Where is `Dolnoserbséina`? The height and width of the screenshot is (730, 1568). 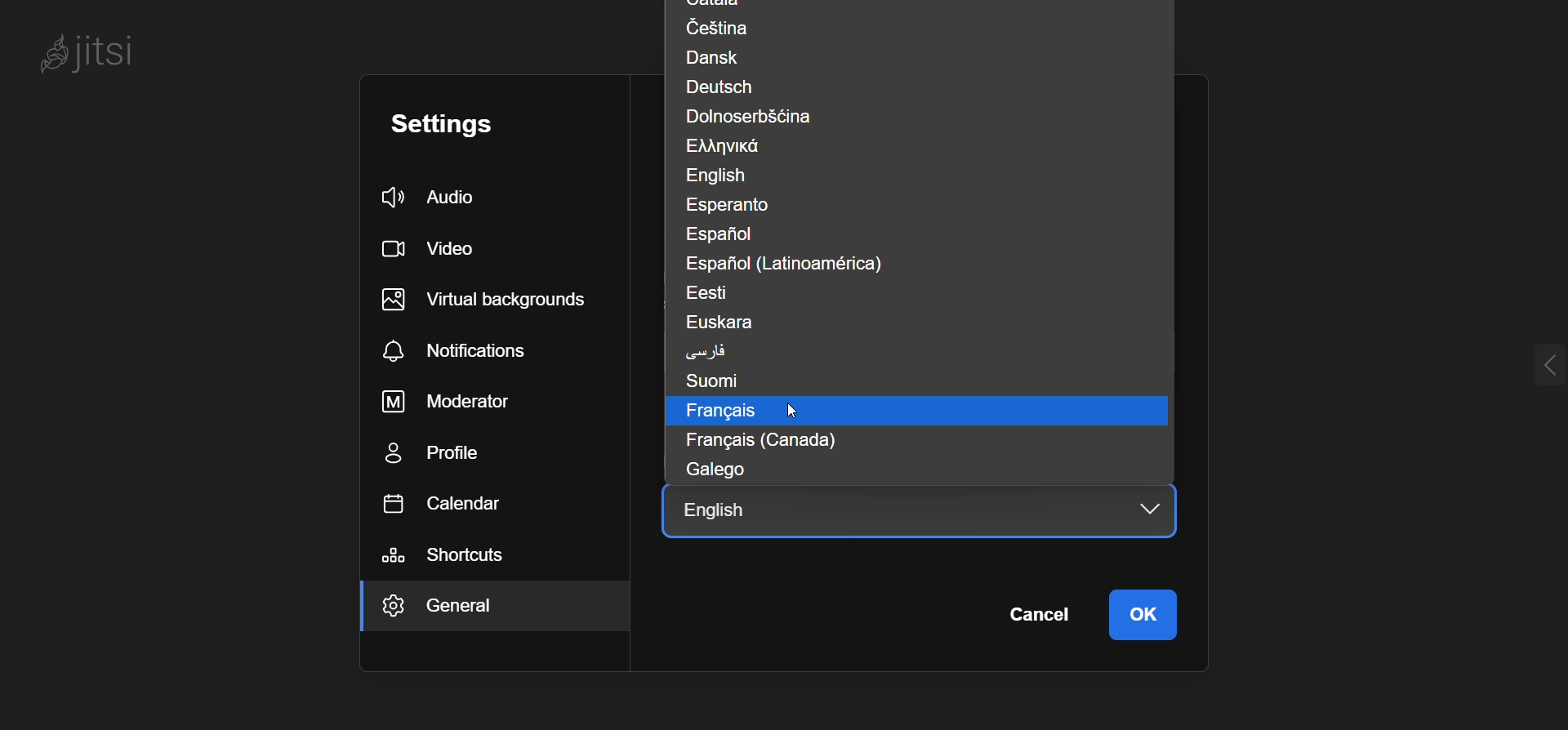
Dolnoserbséina is located at coordinates (759, 114).